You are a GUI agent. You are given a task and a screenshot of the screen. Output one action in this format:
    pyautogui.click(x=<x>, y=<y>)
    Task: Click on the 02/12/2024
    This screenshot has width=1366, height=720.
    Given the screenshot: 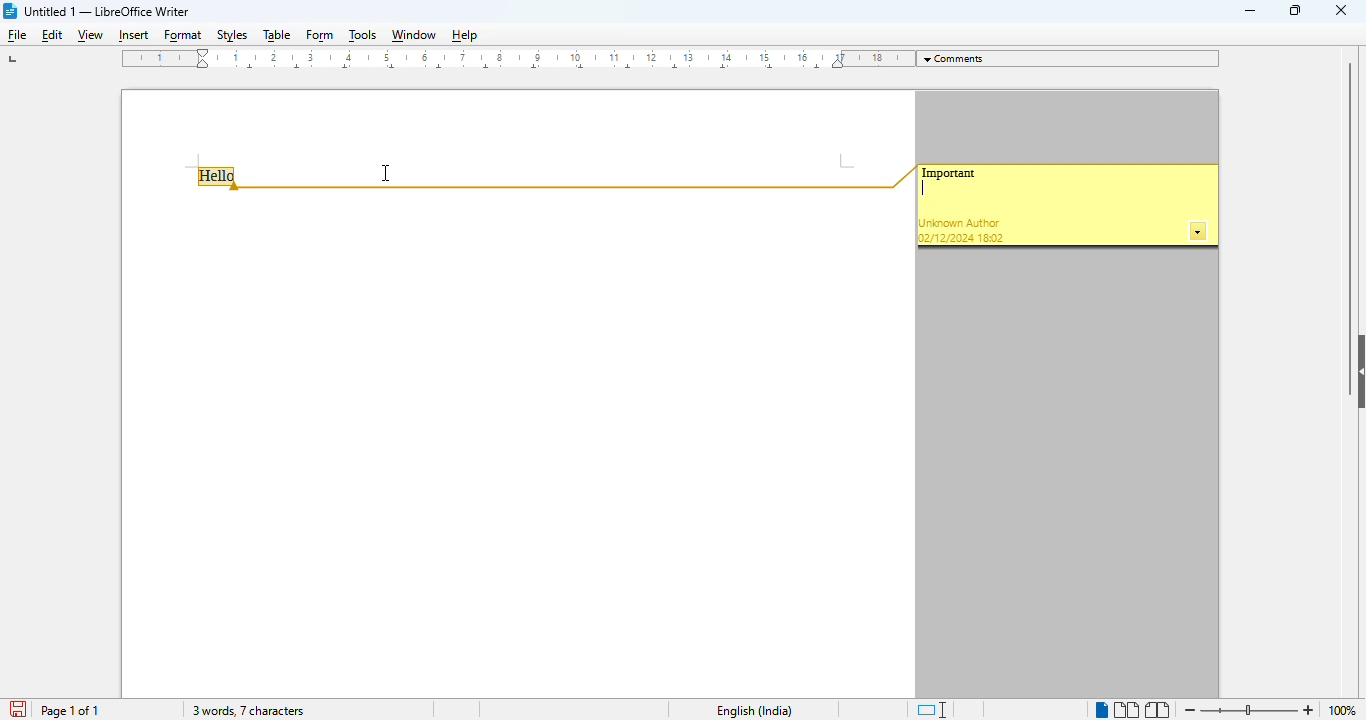 What is the action you would take?
    pyautogui.click(x=946, y=238)
    